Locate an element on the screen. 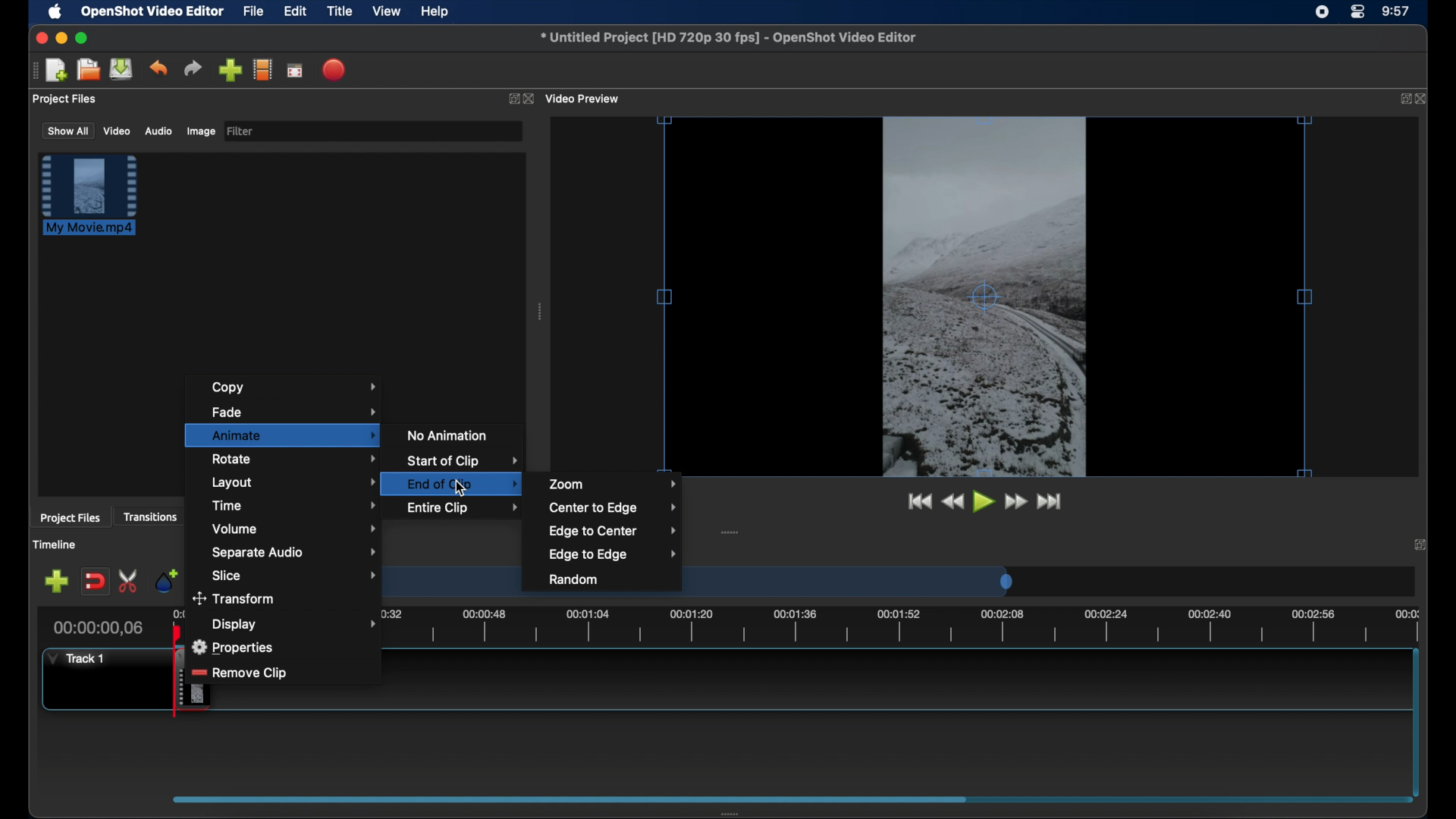  add marker is located at coordinates (166, 579).